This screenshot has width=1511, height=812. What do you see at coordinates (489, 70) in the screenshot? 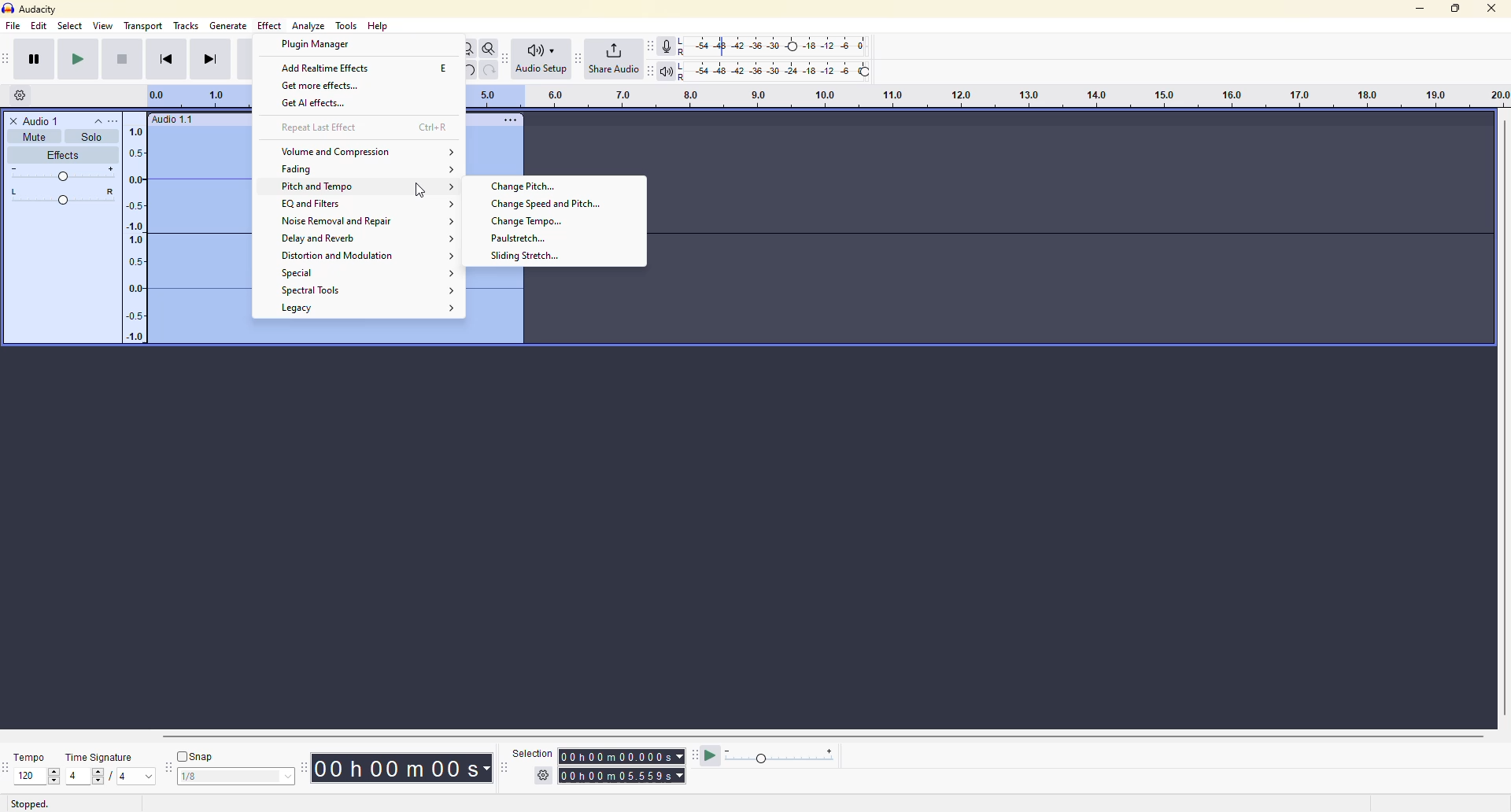
I see `redo` at bounding box center [489, 70].